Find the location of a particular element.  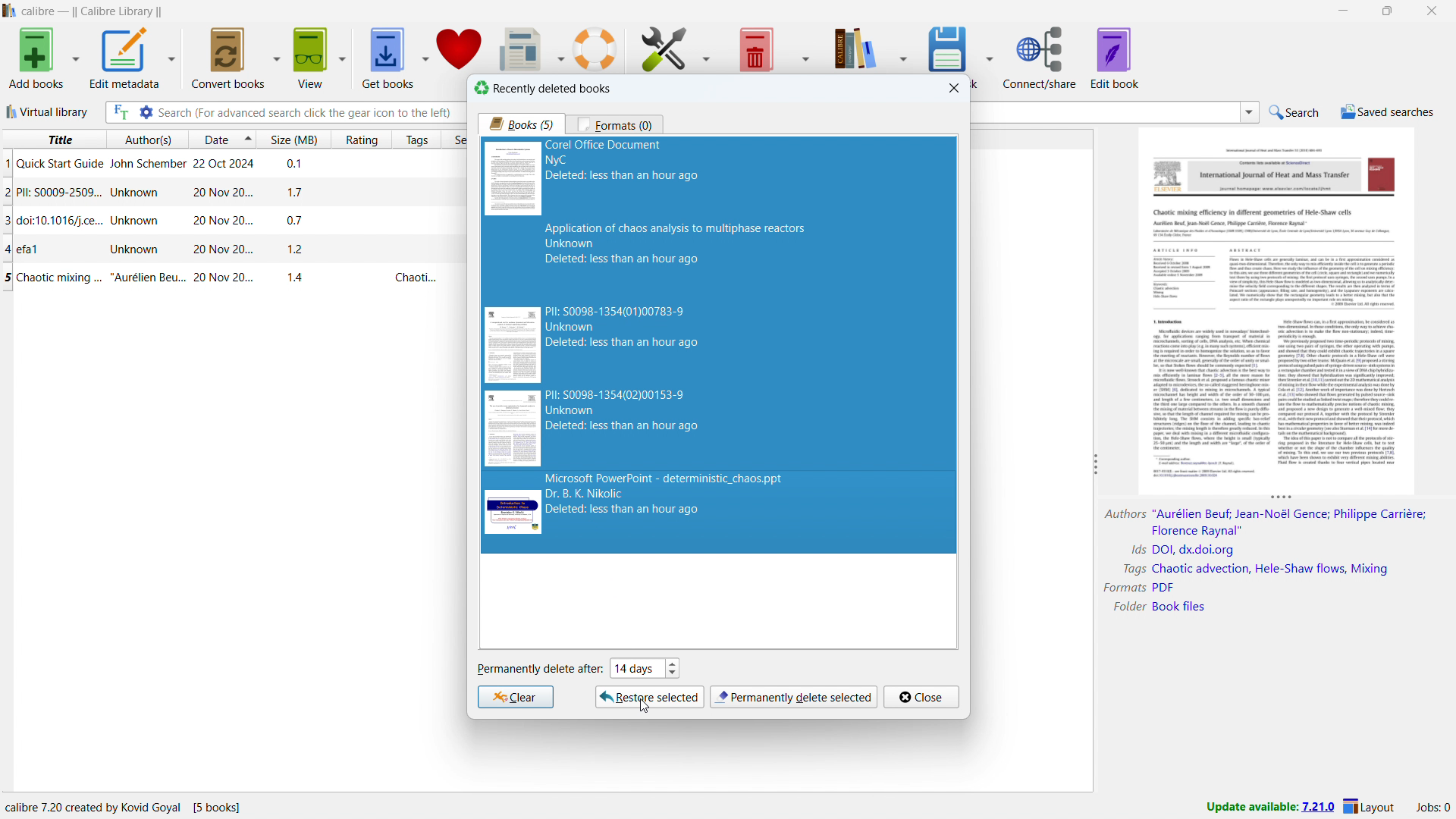

save to disk options is located at coordinates (990, 55).